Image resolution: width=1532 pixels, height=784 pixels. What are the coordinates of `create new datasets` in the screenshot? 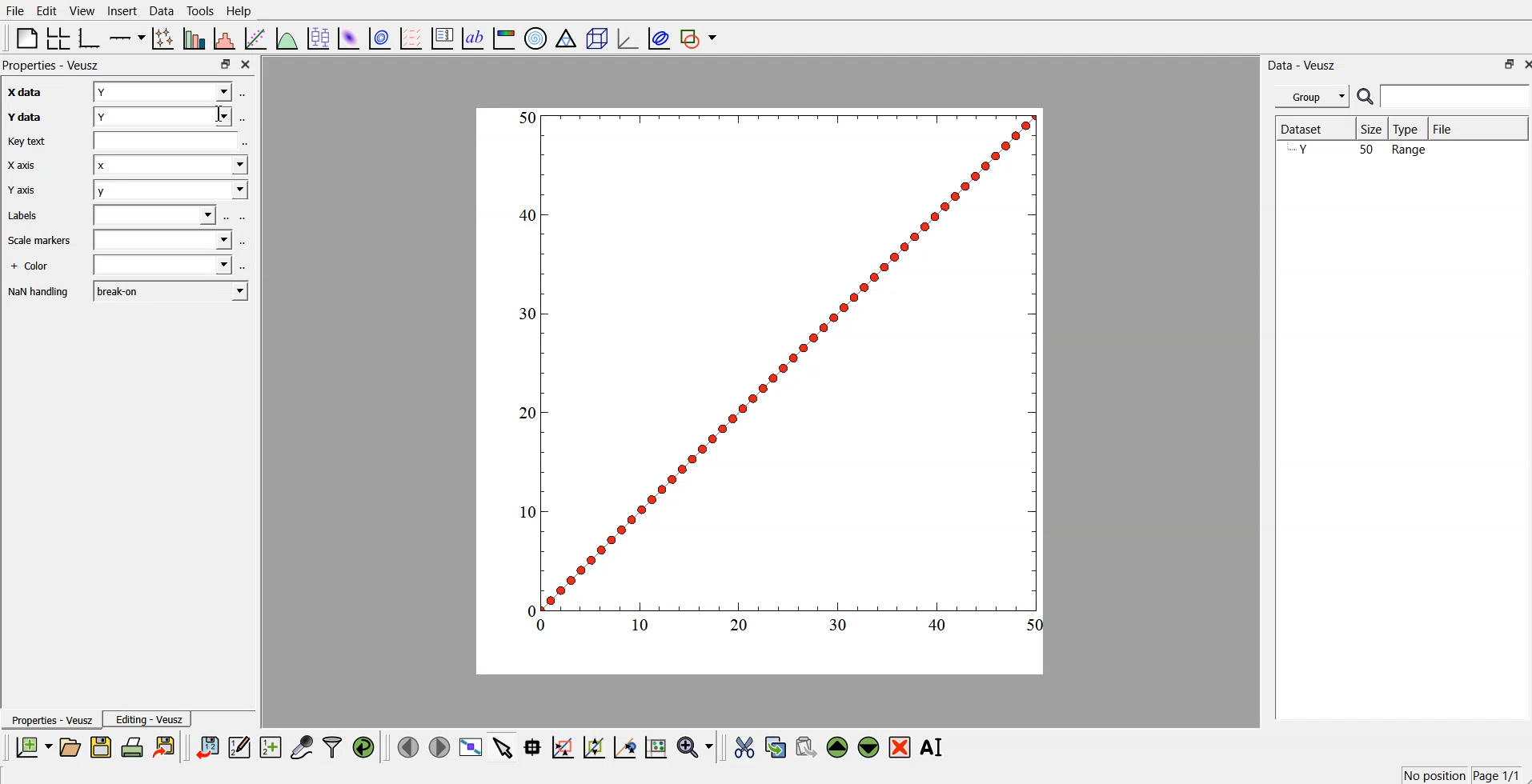 It's located at (271, 748).